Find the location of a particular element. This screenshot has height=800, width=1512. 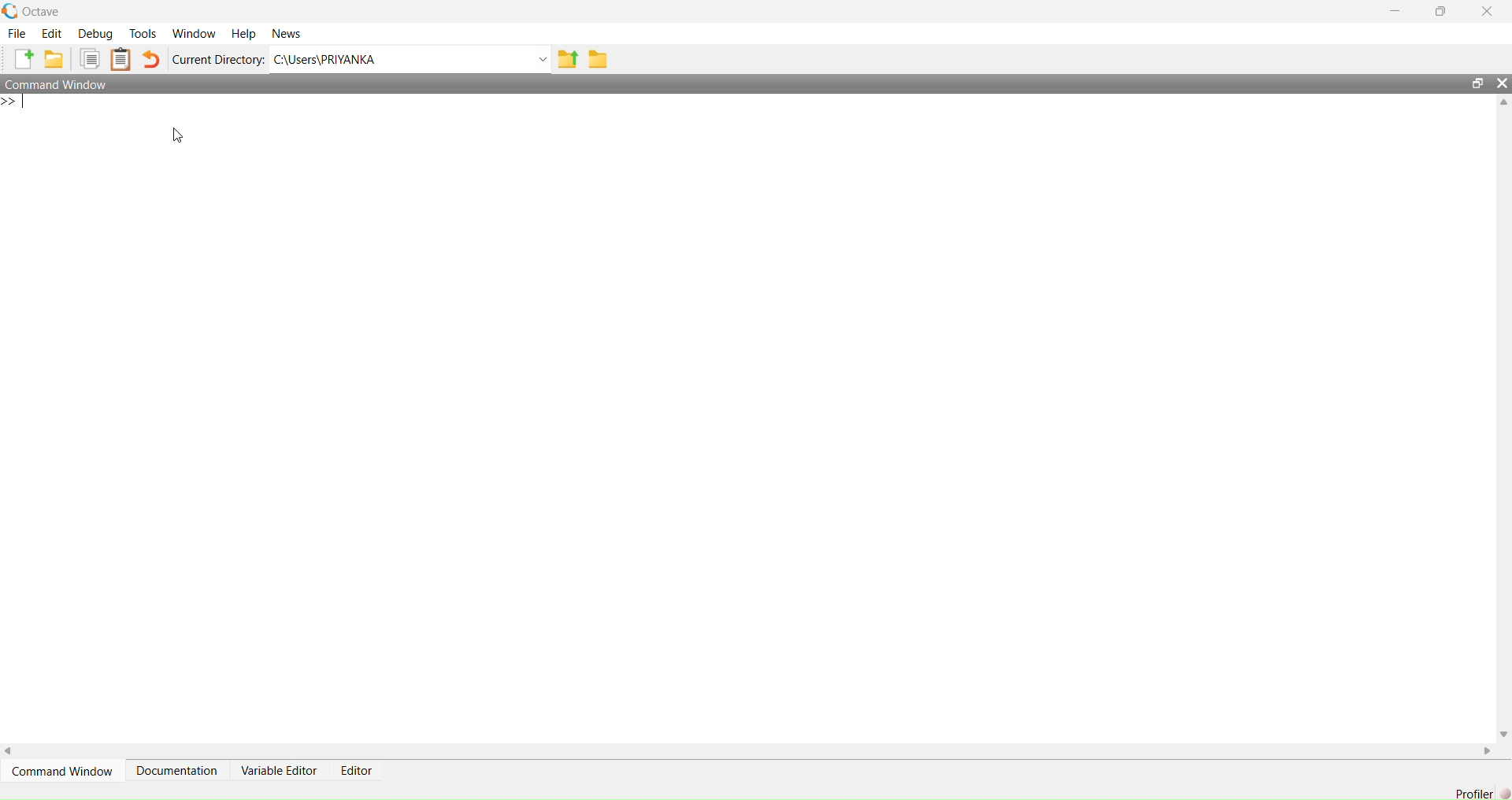

Command Window is located at coordinates (66, 84).